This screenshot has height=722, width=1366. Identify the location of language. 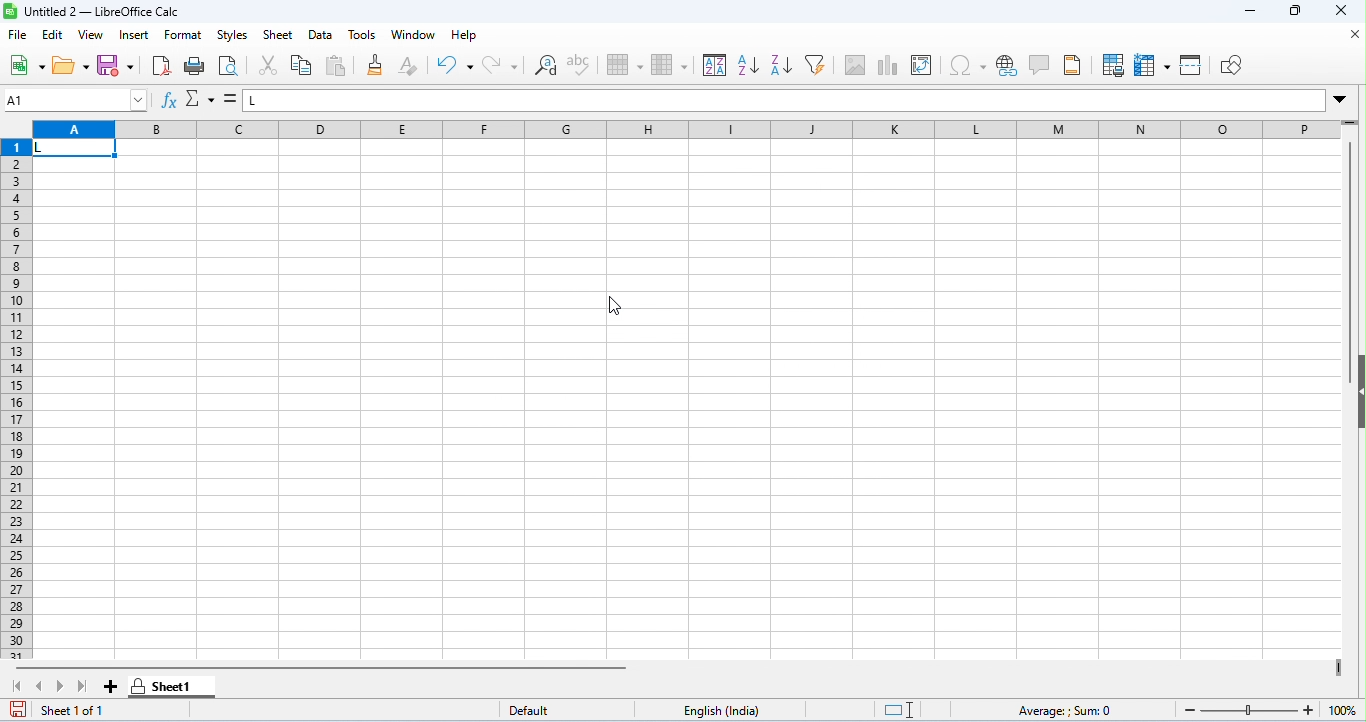
(728, 710).